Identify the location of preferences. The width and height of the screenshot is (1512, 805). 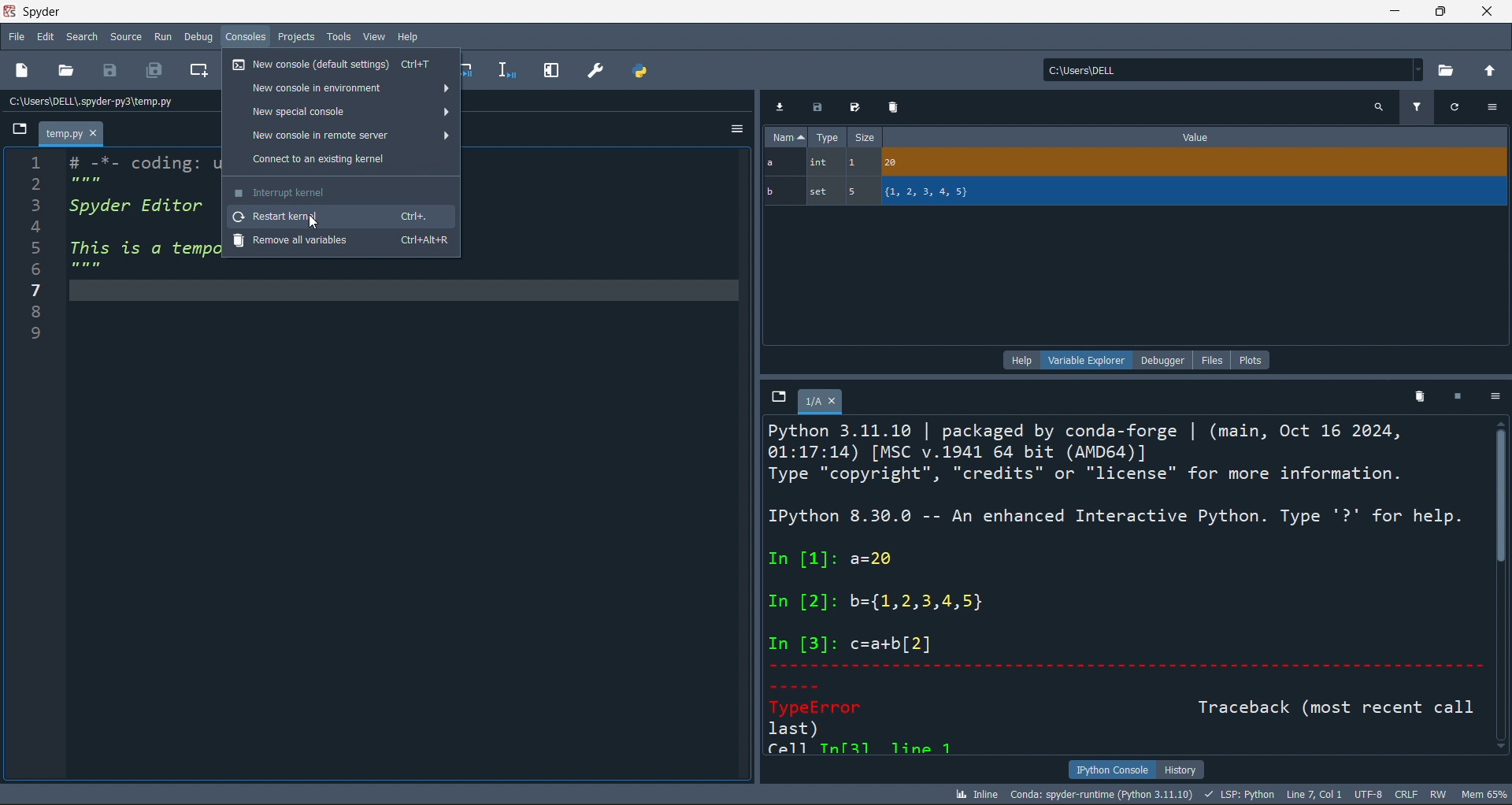
(595, 69).